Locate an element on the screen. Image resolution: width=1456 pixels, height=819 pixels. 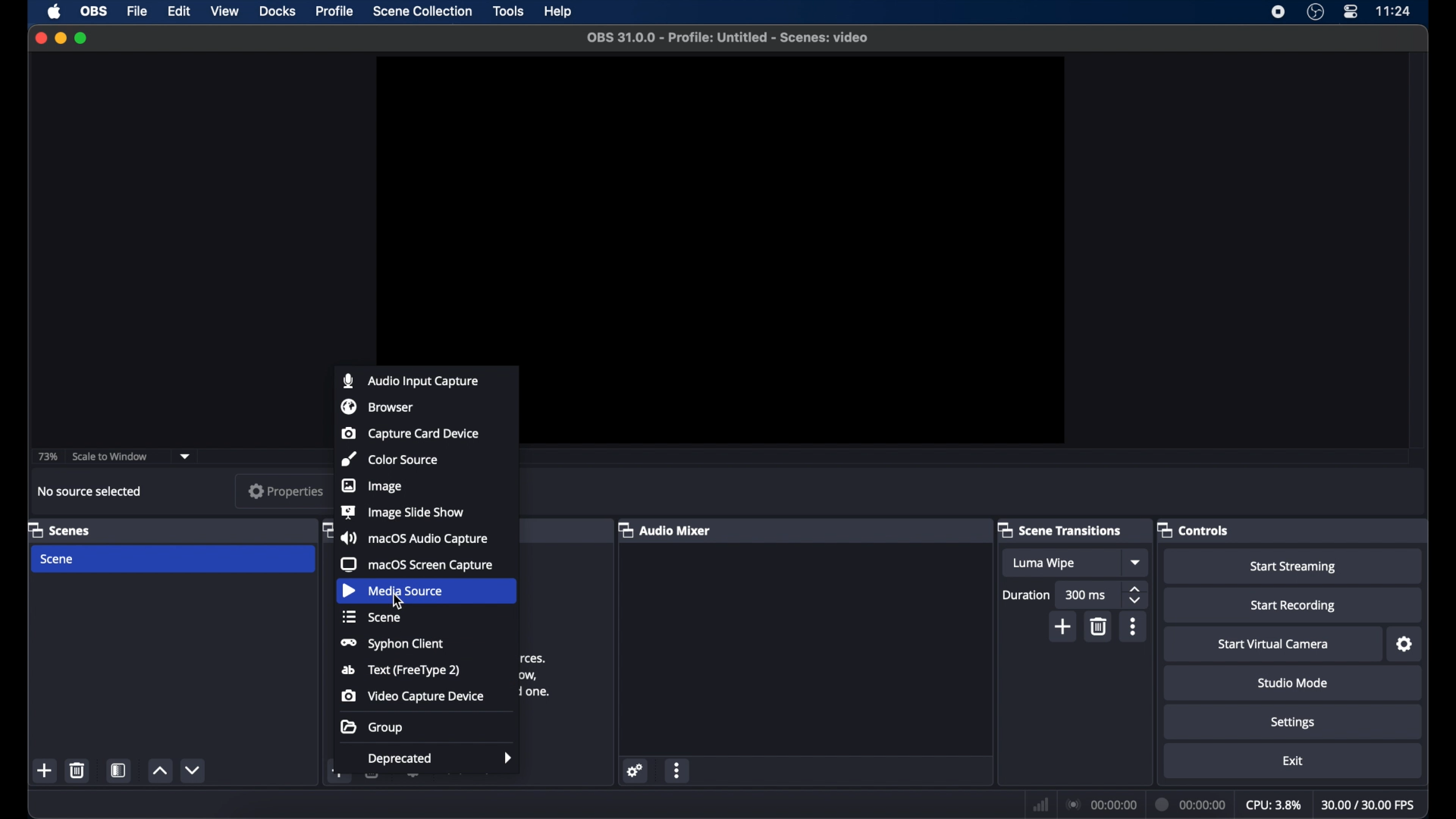
profile is located at coordinates (336, 11).